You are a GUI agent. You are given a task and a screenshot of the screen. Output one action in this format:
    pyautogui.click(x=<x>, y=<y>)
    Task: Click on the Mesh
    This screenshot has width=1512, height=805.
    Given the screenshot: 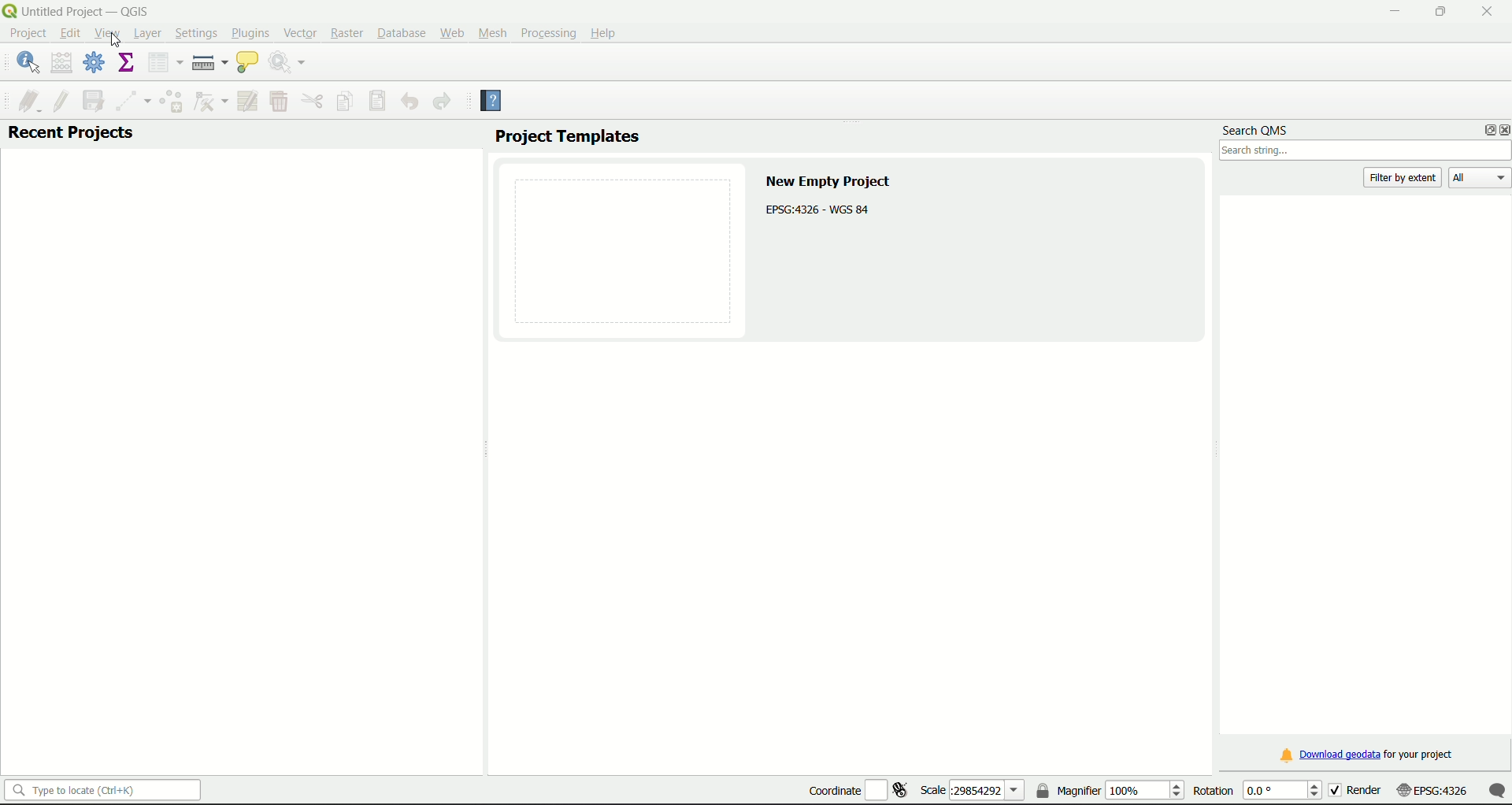 What is the action you would take?
    pyautogui.click(x=493, y=33)
    